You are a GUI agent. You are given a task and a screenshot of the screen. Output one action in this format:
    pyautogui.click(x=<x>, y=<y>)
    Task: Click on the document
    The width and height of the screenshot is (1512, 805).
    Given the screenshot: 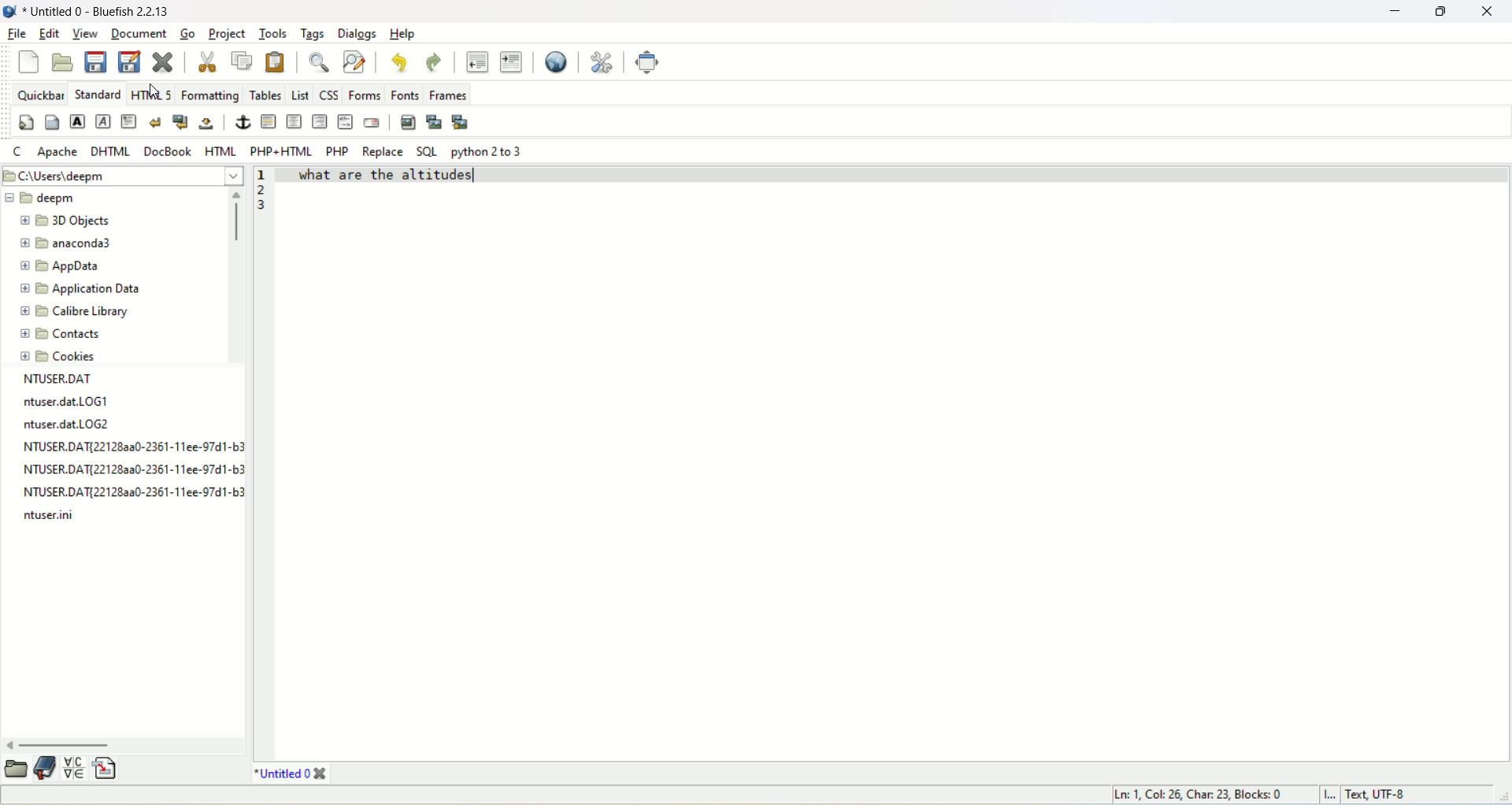 What is the action you would take?
    pyautogui.click(x=137, y=33)
    